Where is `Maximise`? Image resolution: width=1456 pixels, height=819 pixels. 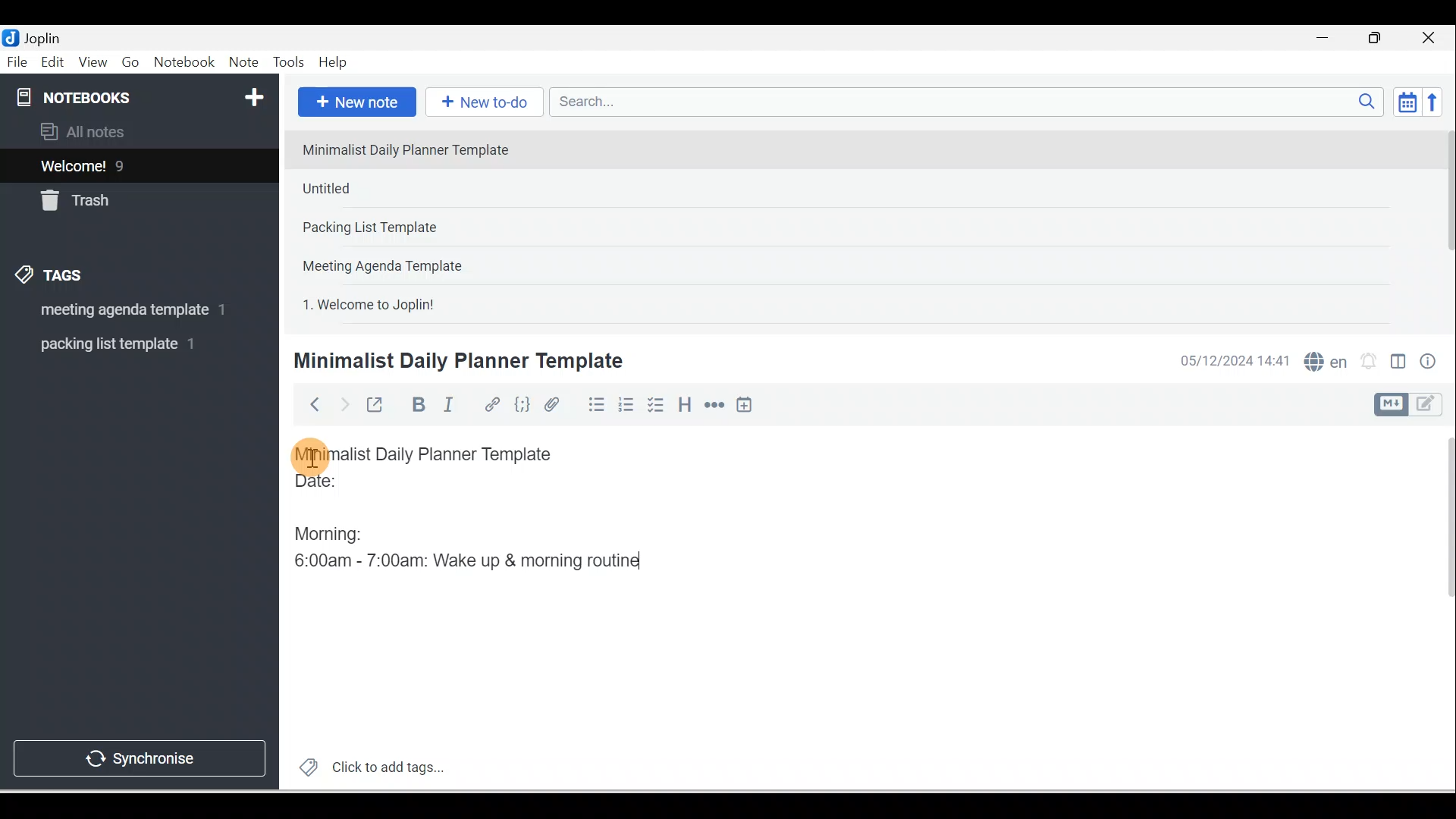 Maximise is located at coordinates (1380, 39).